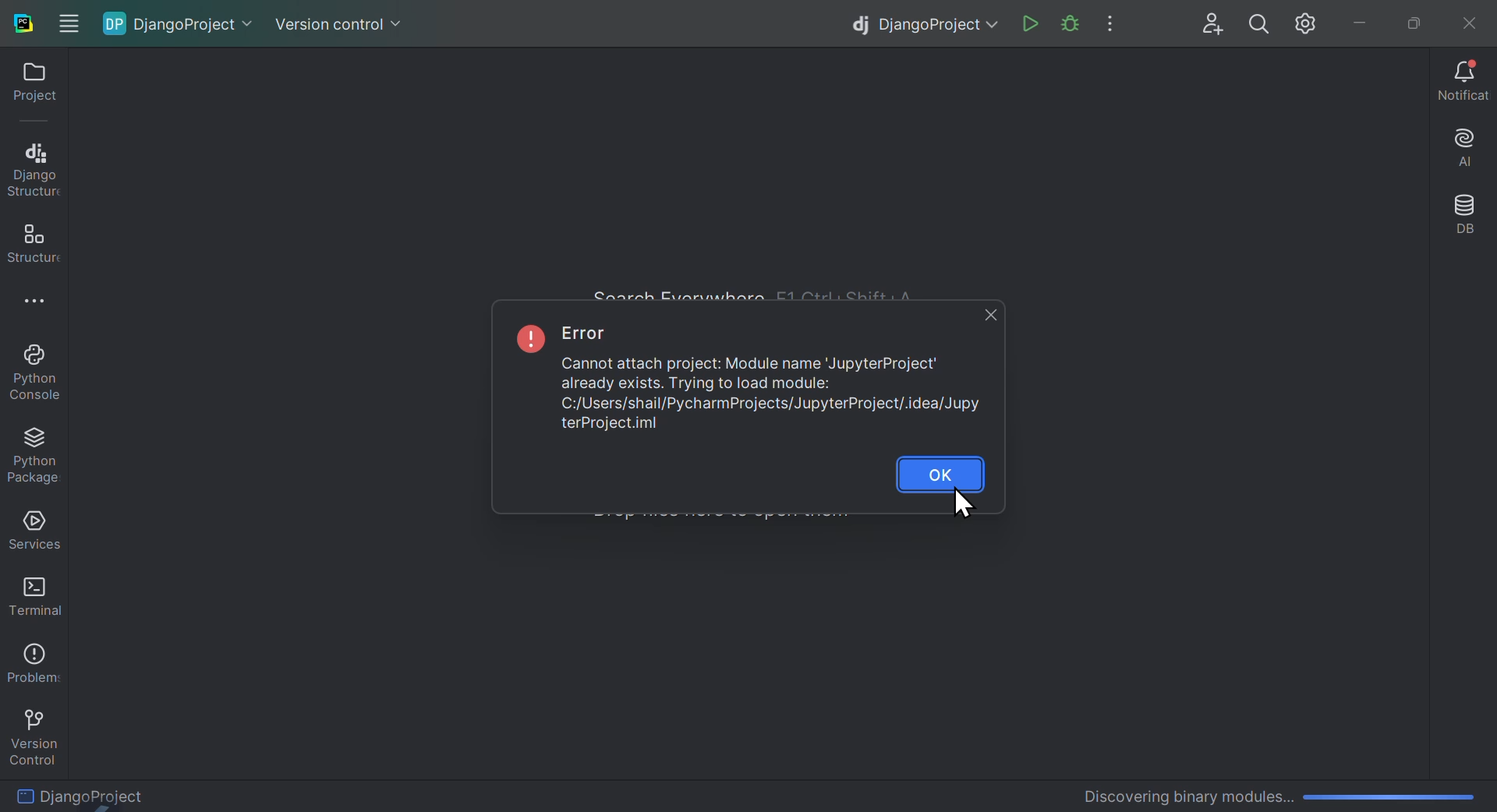 The width and height of the screenshot is (1497, 812). What do you see at coordinates (1031, 25) in the screenshot?
I see `Run file` at bounding box center [1031, 25].